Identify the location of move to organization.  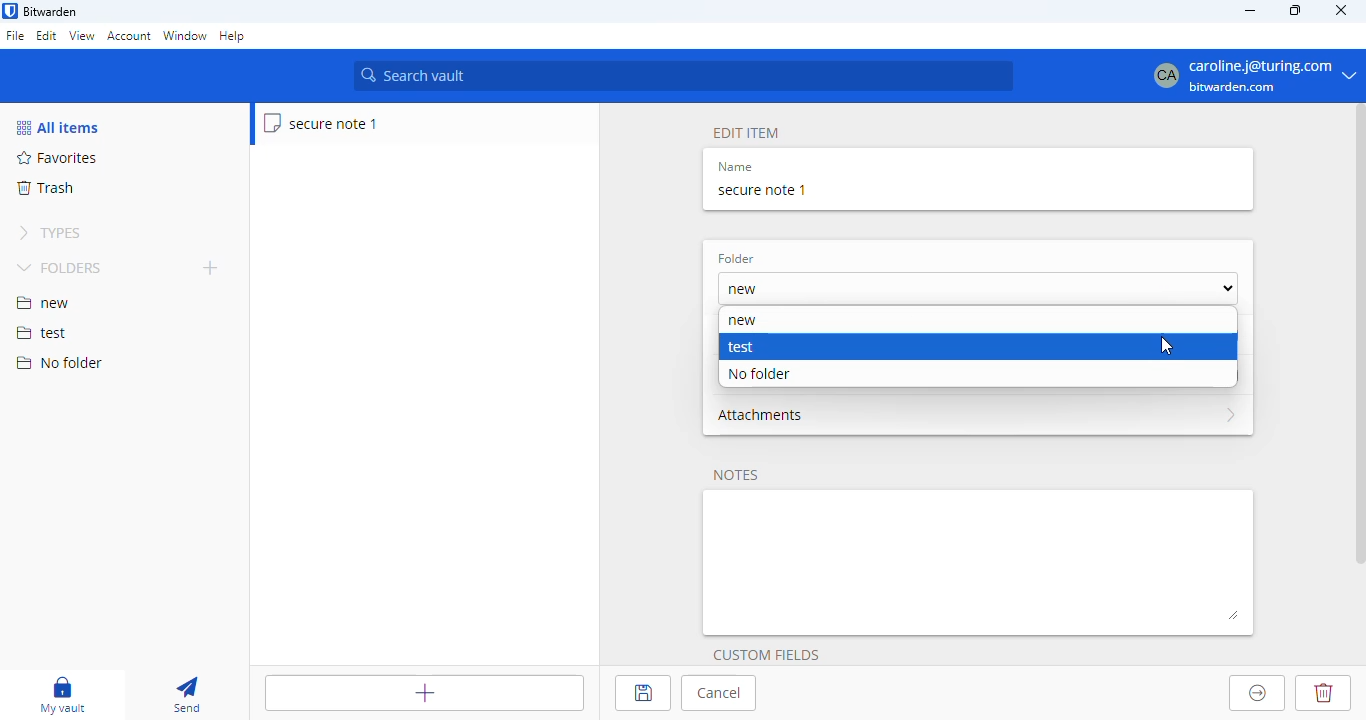
(1258, 693).